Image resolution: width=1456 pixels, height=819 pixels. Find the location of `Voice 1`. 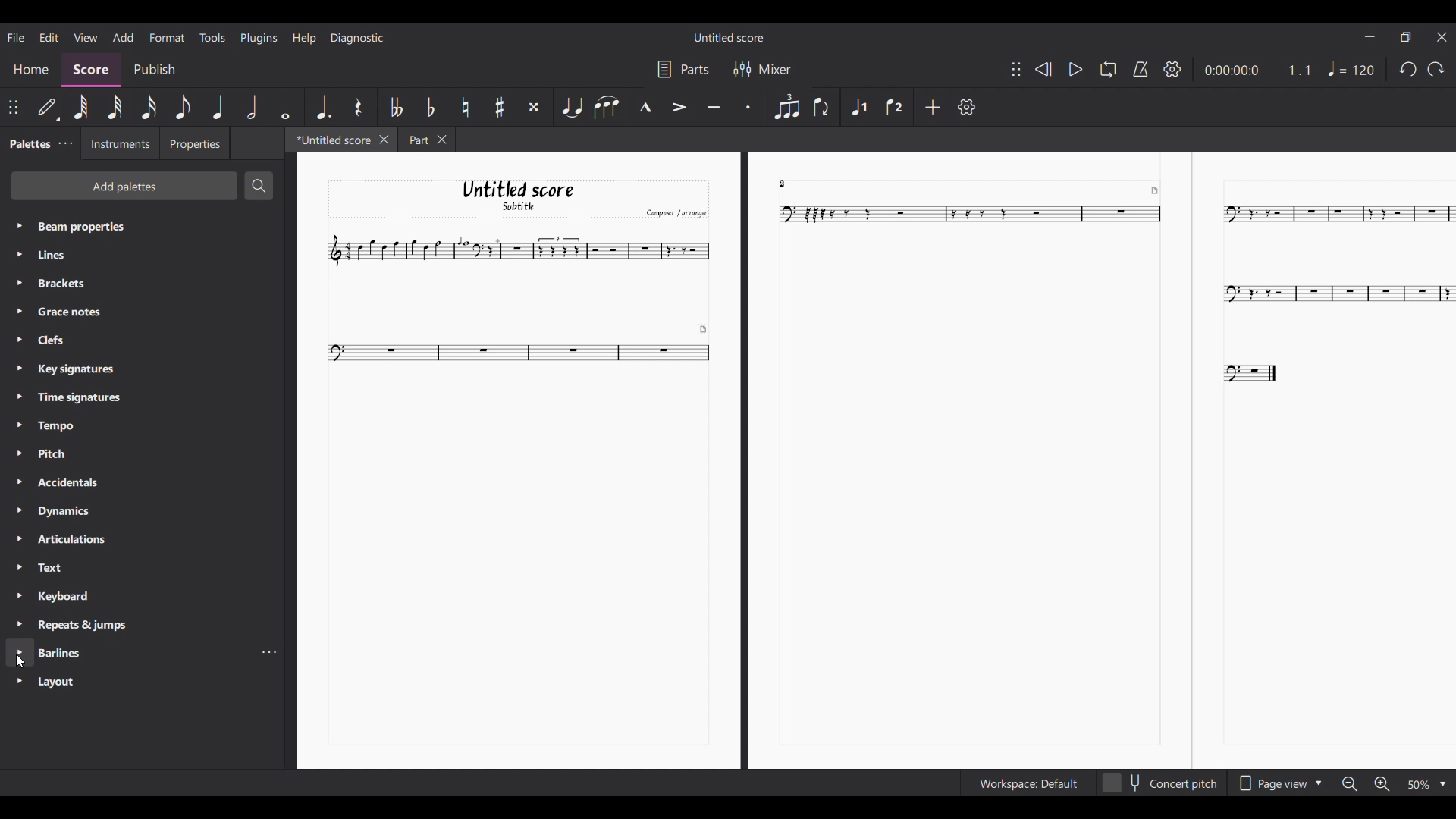

Voice 1 is located at coordinates (859, 106).